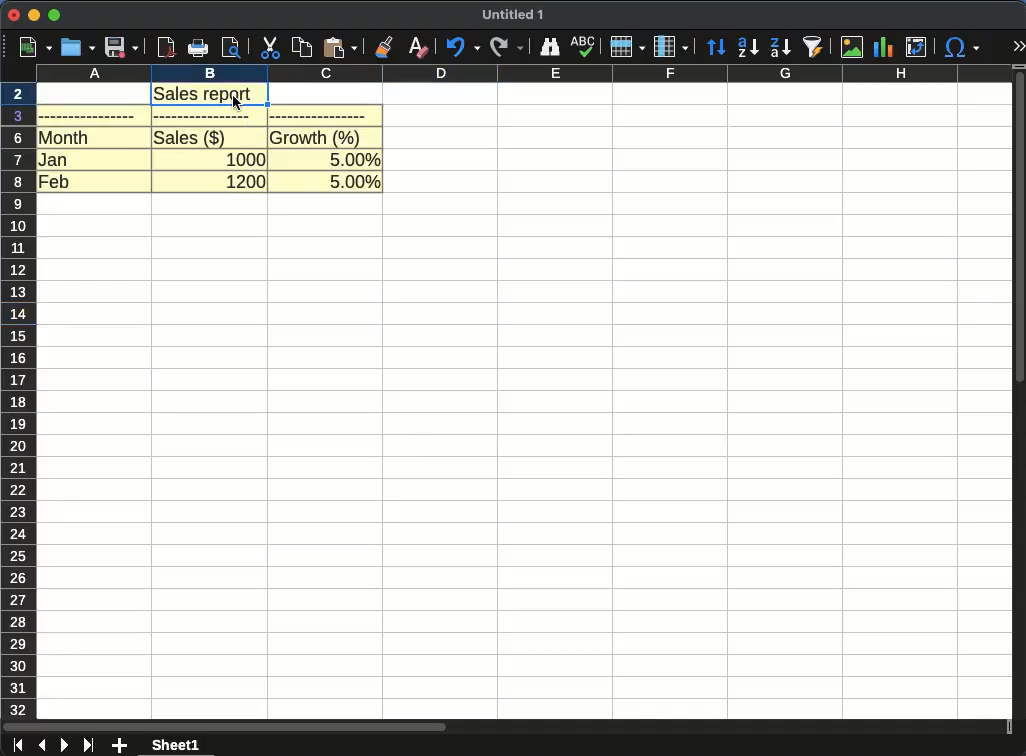 The width and height of the screenshot is (1026, 756). What do you see at coordinates (885, 48) in the screenshot?
I see `chart` at bounding box center [885, 48].